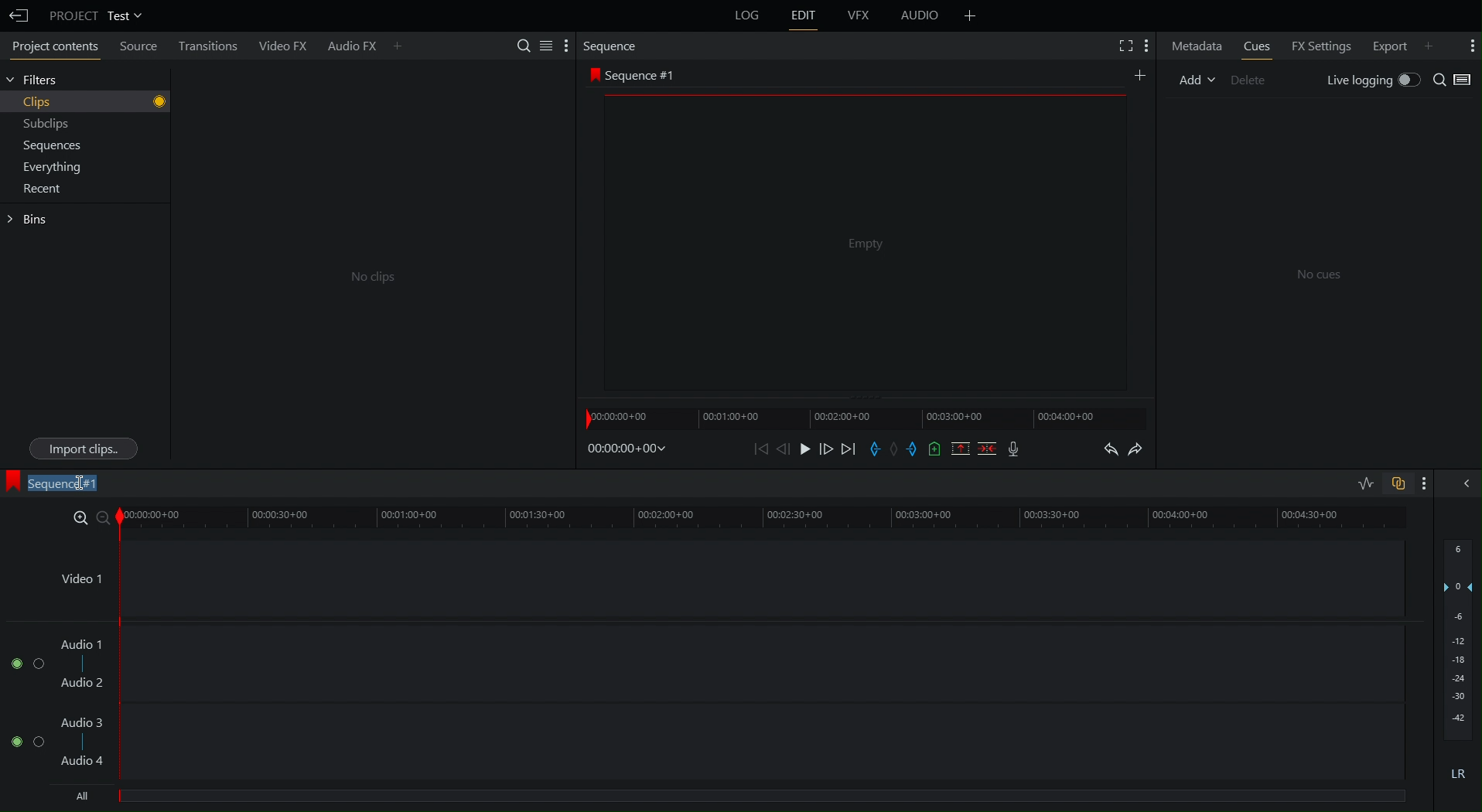  What do you see at coordinates (1142, 76) in the screenshot?
I see `Add` at bounding box center [1142, 76].